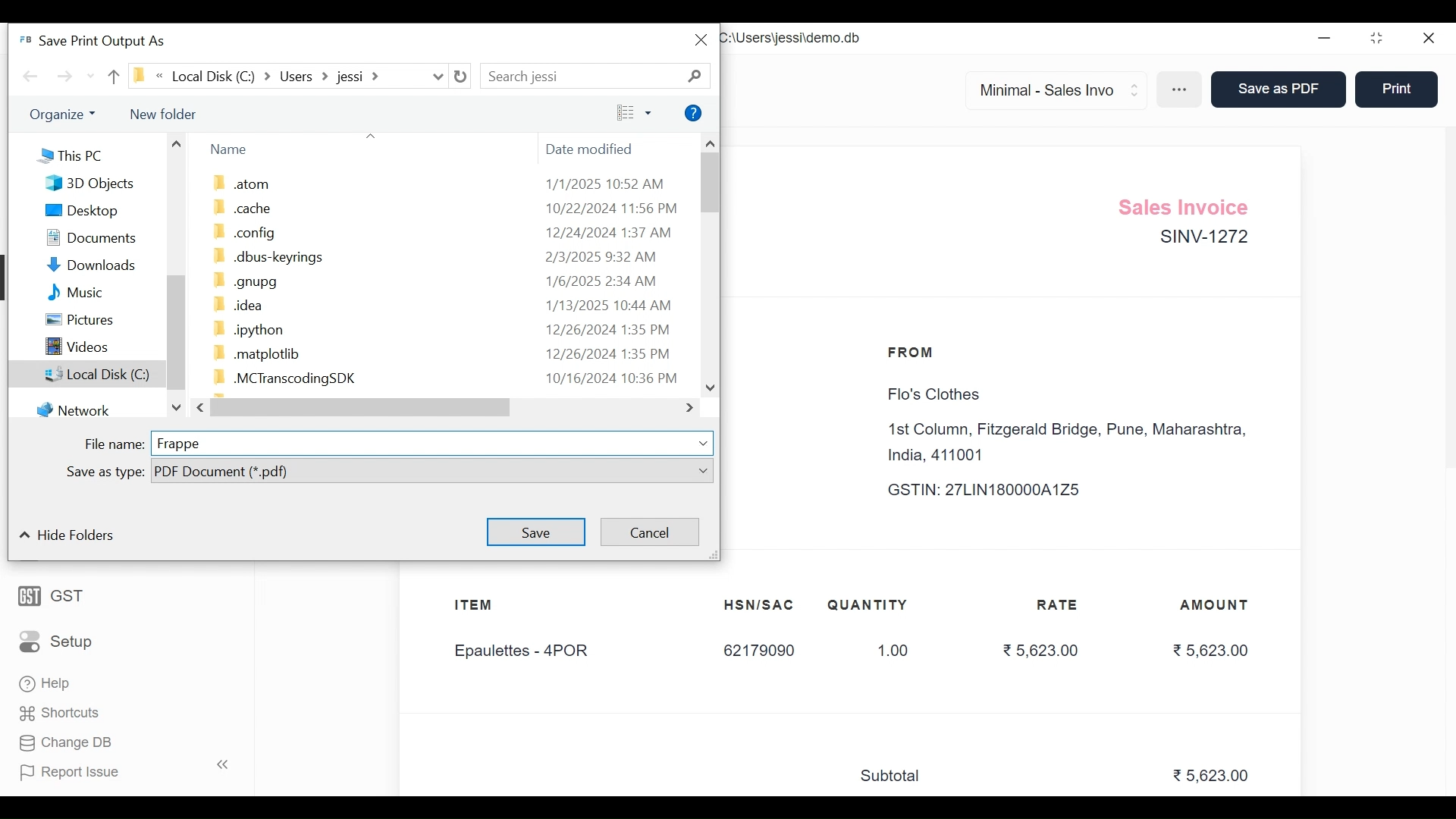 Image resolution: width=1456 pixels, height=819 pixels. Describe the element at coordinates (462, 77) in the screenshot. I see `Refresh` at that location.